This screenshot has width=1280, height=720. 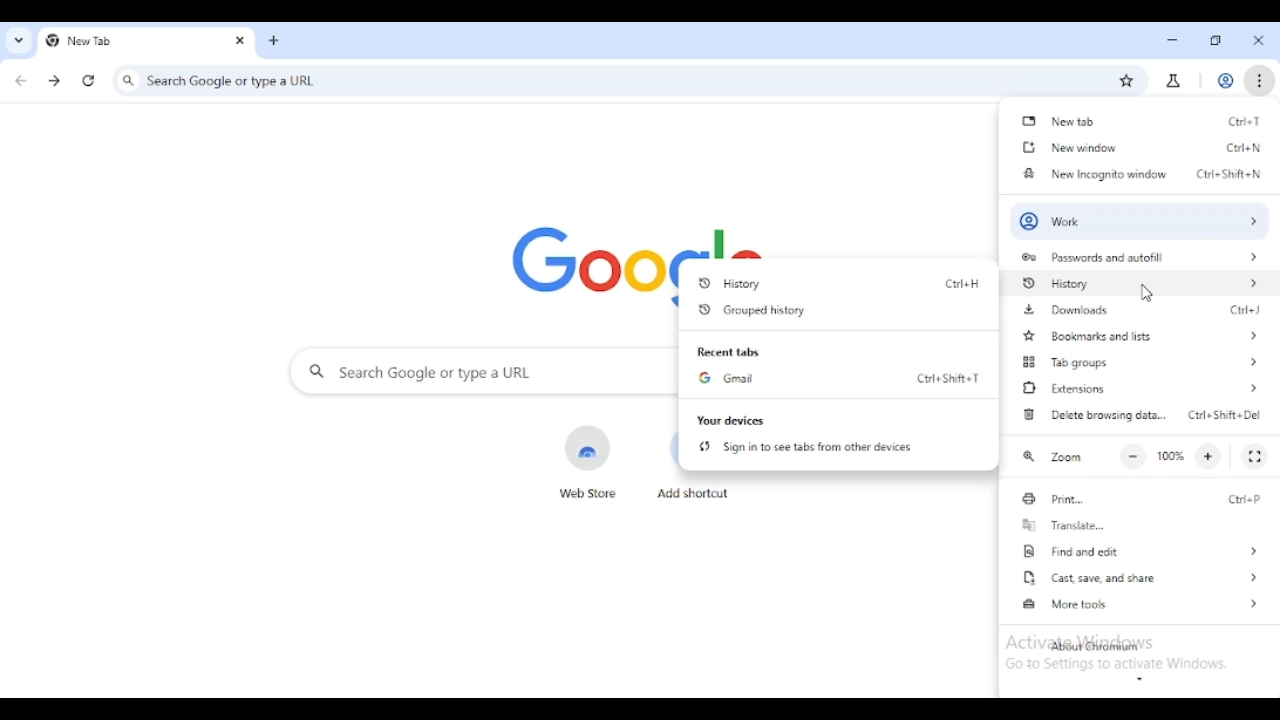 What do you see at coordinates (594, 80) in the screenshot?
I see `search google or type a URL` at bounding box center [594, 80].